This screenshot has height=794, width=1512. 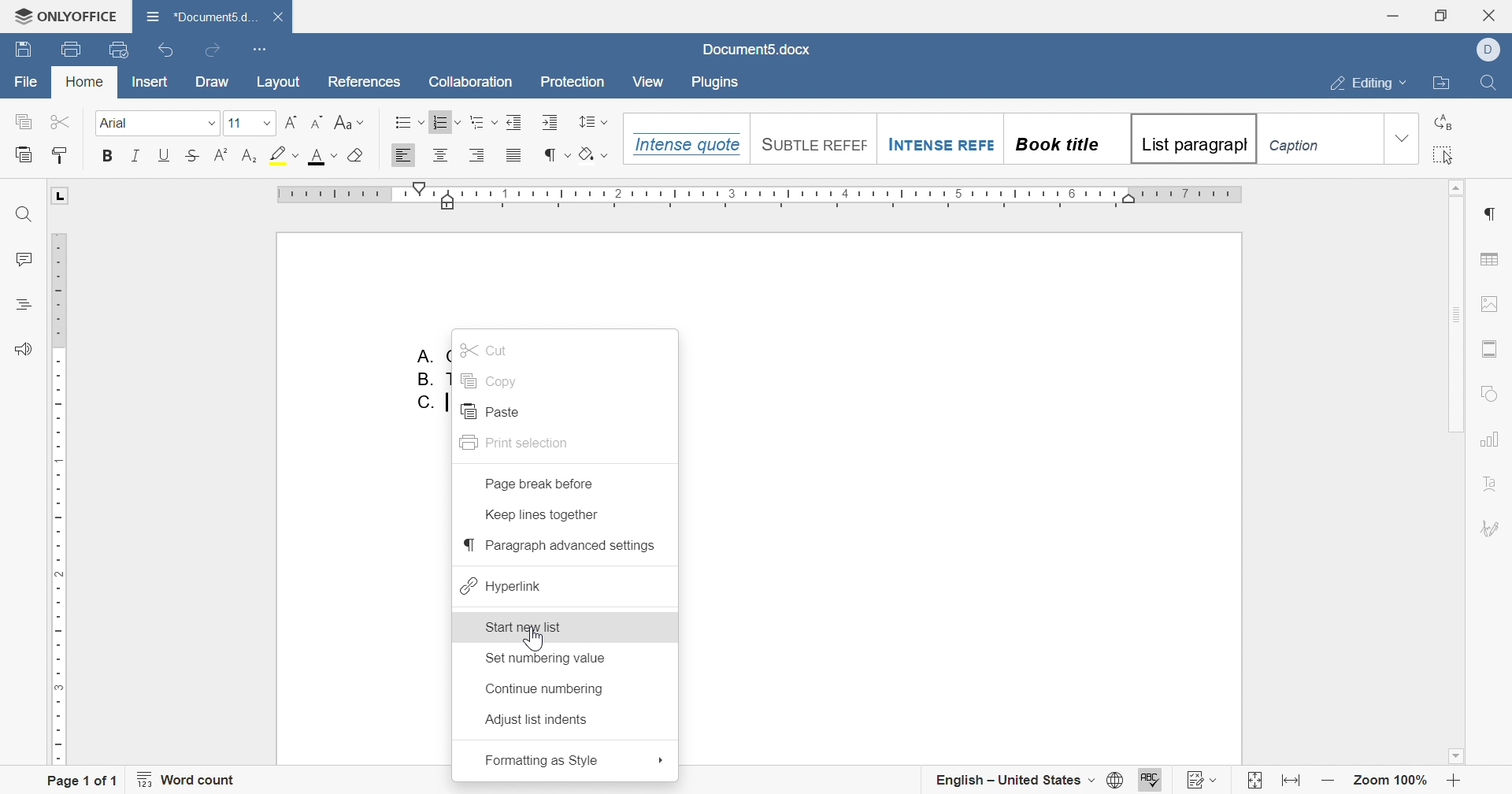 What do you see at coordinates (1201, 780) in the screenshot?
I see `track changes` at bounding box center [1201, 780].